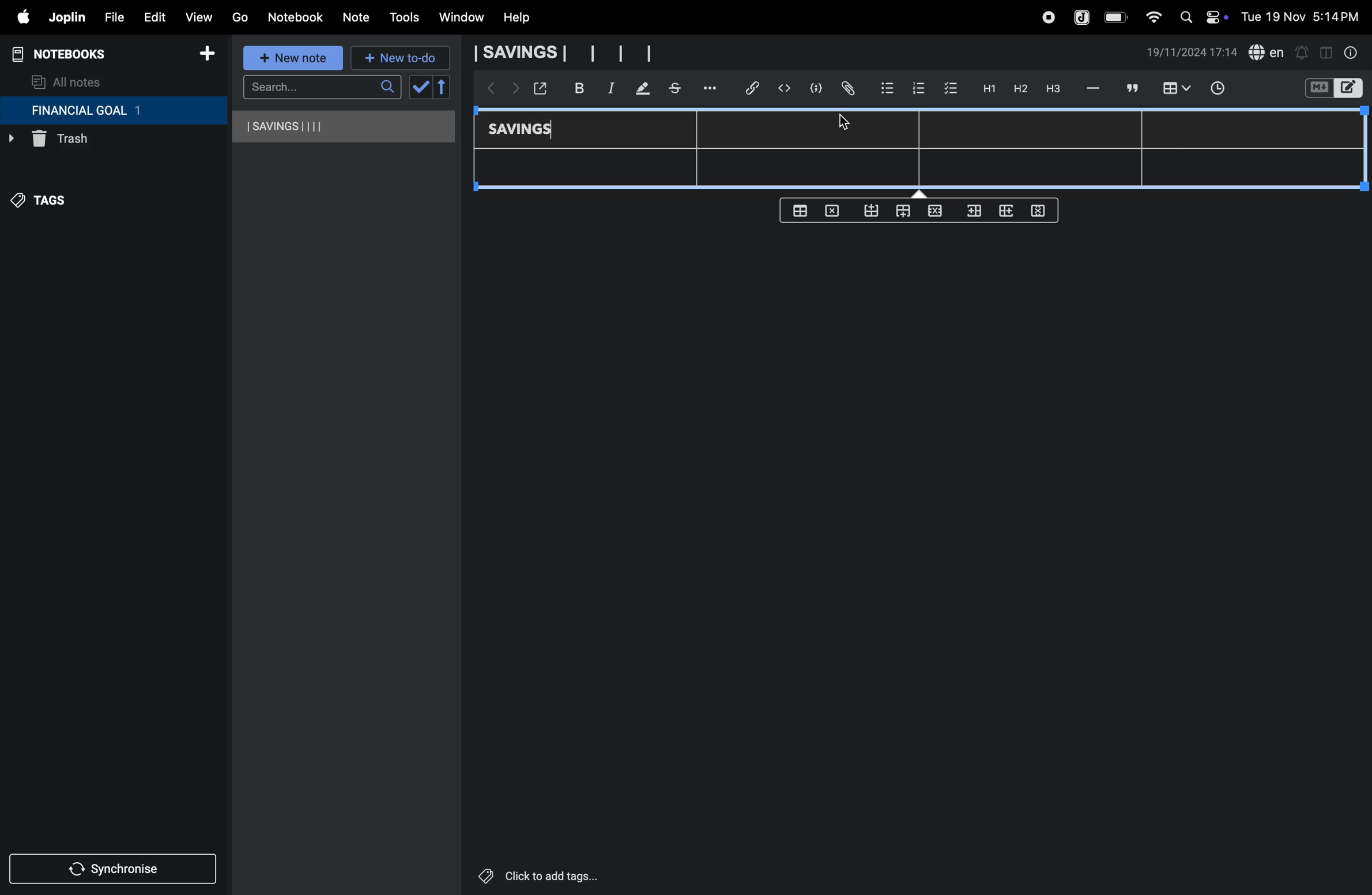  Describe the element at coordinates (113, 111) in the screenshot. I see `financial goal` at that location.